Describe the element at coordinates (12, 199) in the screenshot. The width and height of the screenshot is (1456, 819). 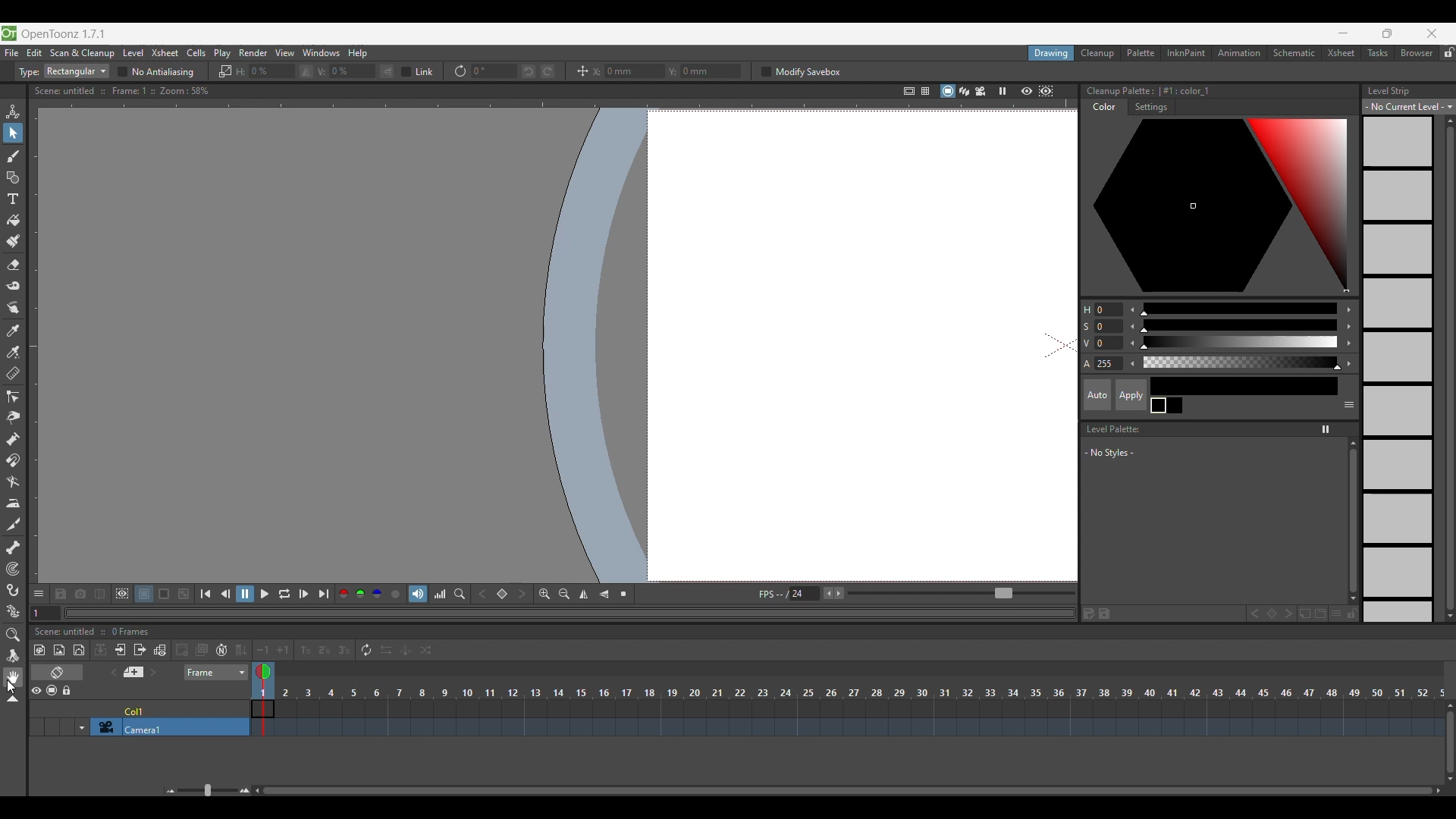
I see `Type tool` at that location.